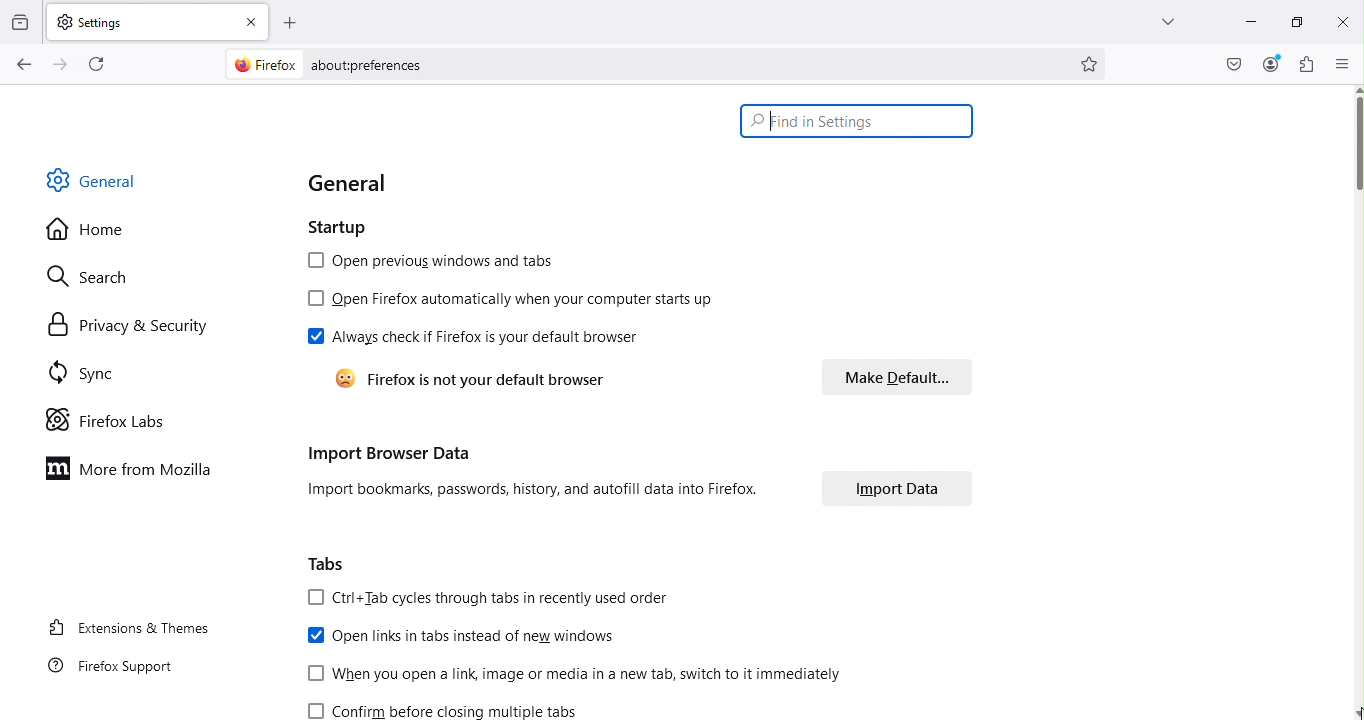  Describe the element at coordinates (690, 64) in the screenshot. I see `Address bar` at that location.